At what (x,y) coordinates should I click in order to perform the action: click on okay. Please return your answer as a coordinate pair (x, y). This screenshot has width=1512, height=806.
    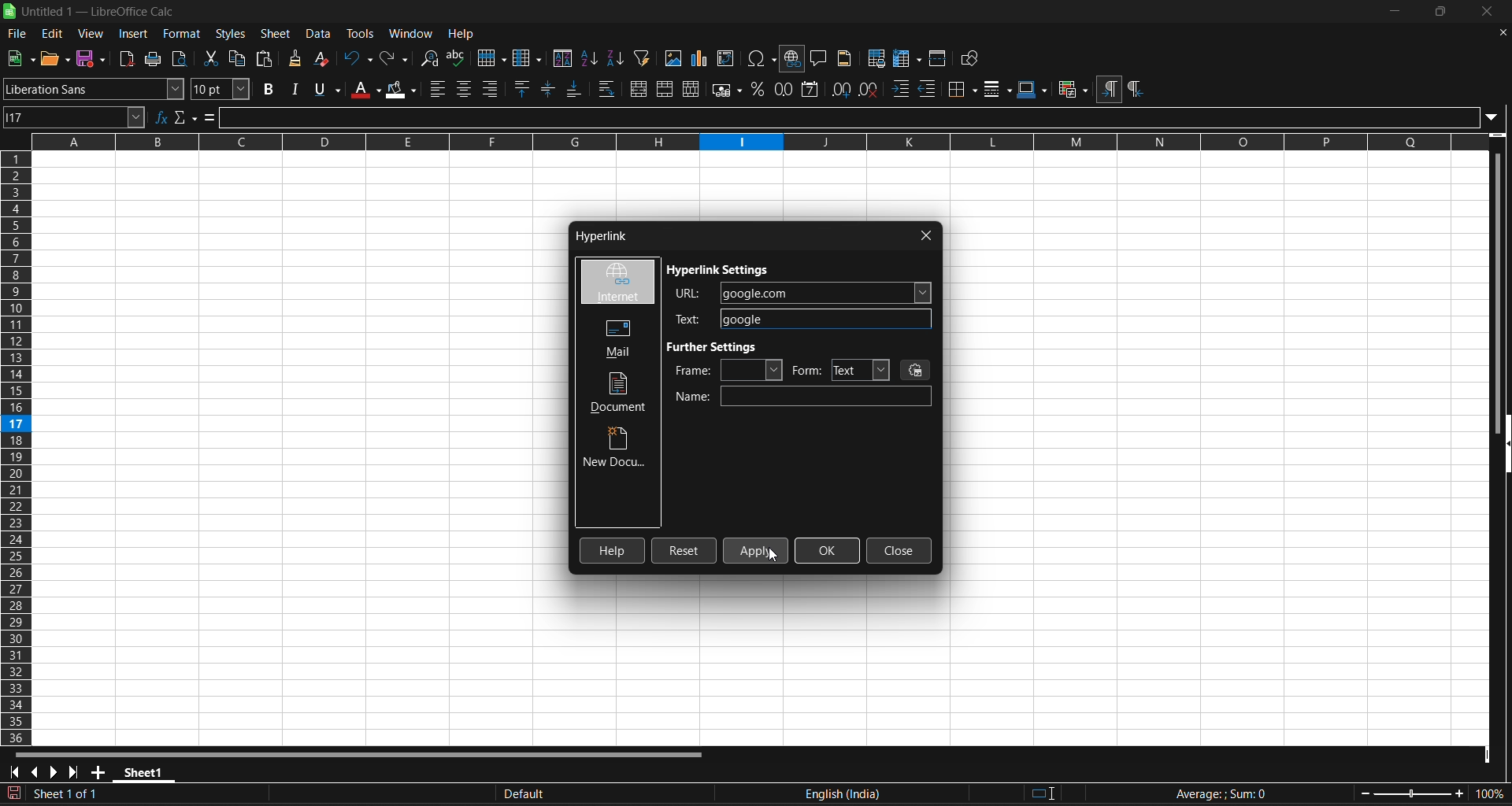
    Looking at the image, I should click on (828, 550).